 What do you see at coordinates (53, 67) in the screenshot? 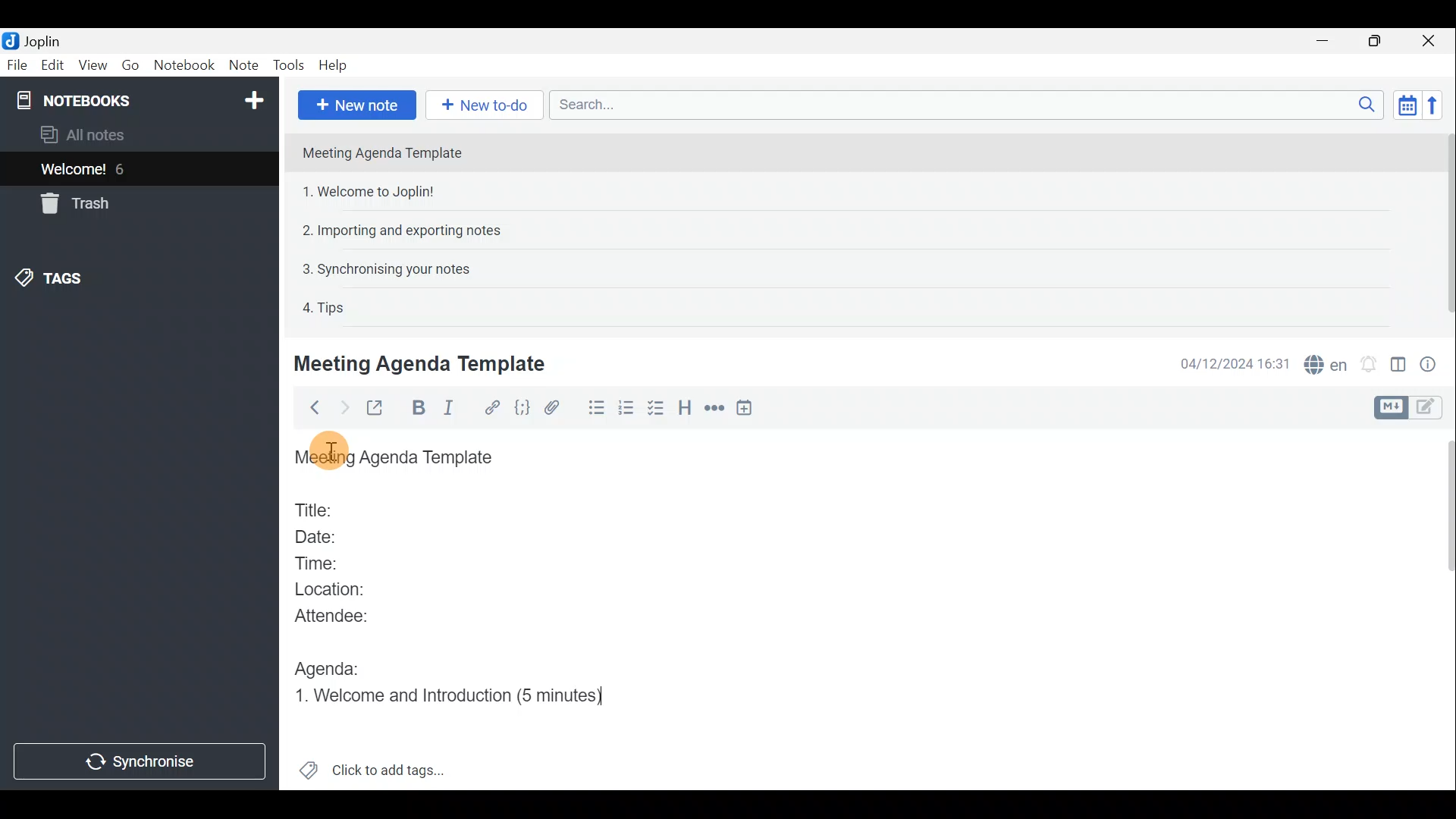
I see `Edit` at bounding box center [53, 67].